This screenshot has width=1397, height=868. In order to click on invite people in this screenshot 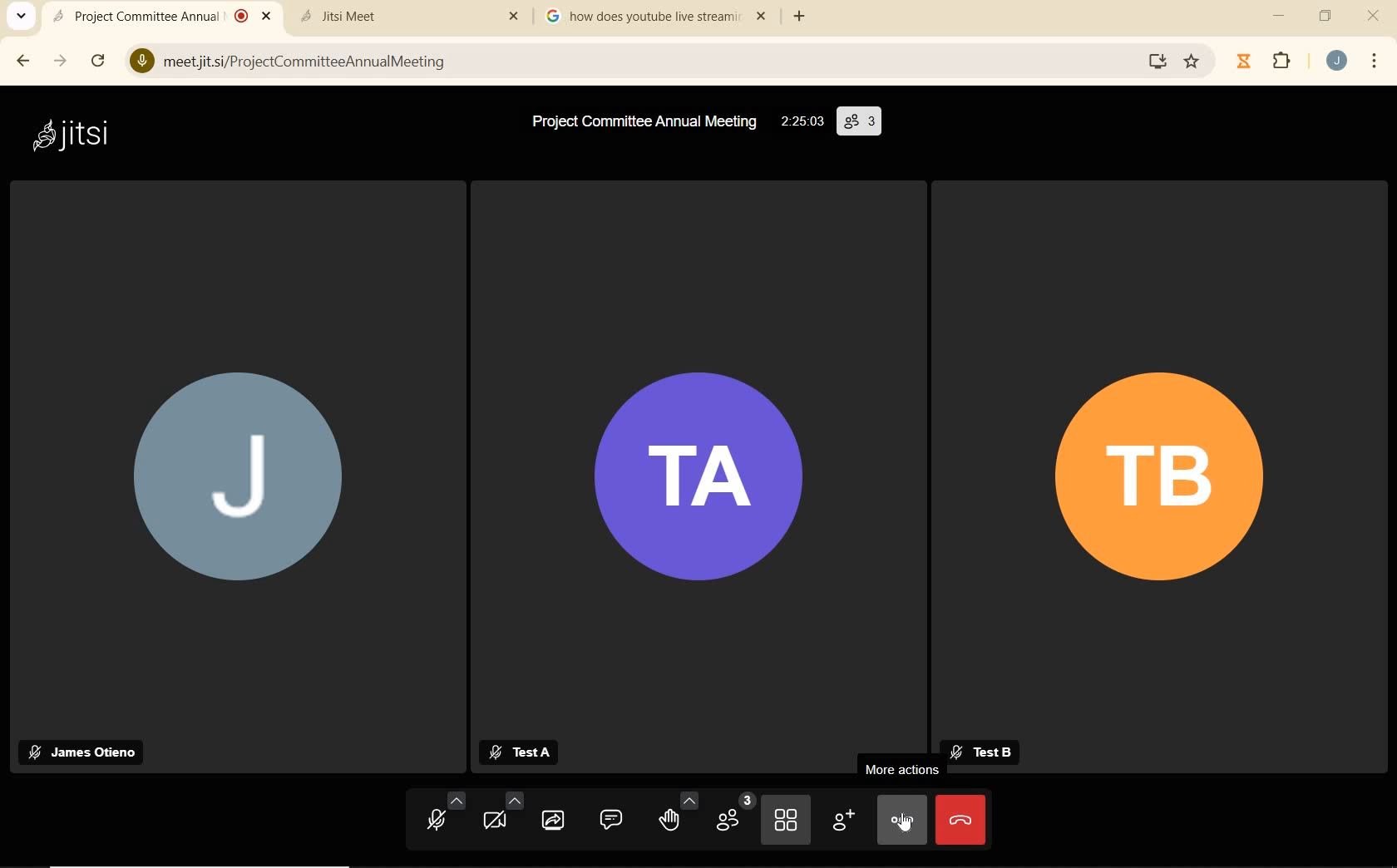, I will do `click(842, 820)`.